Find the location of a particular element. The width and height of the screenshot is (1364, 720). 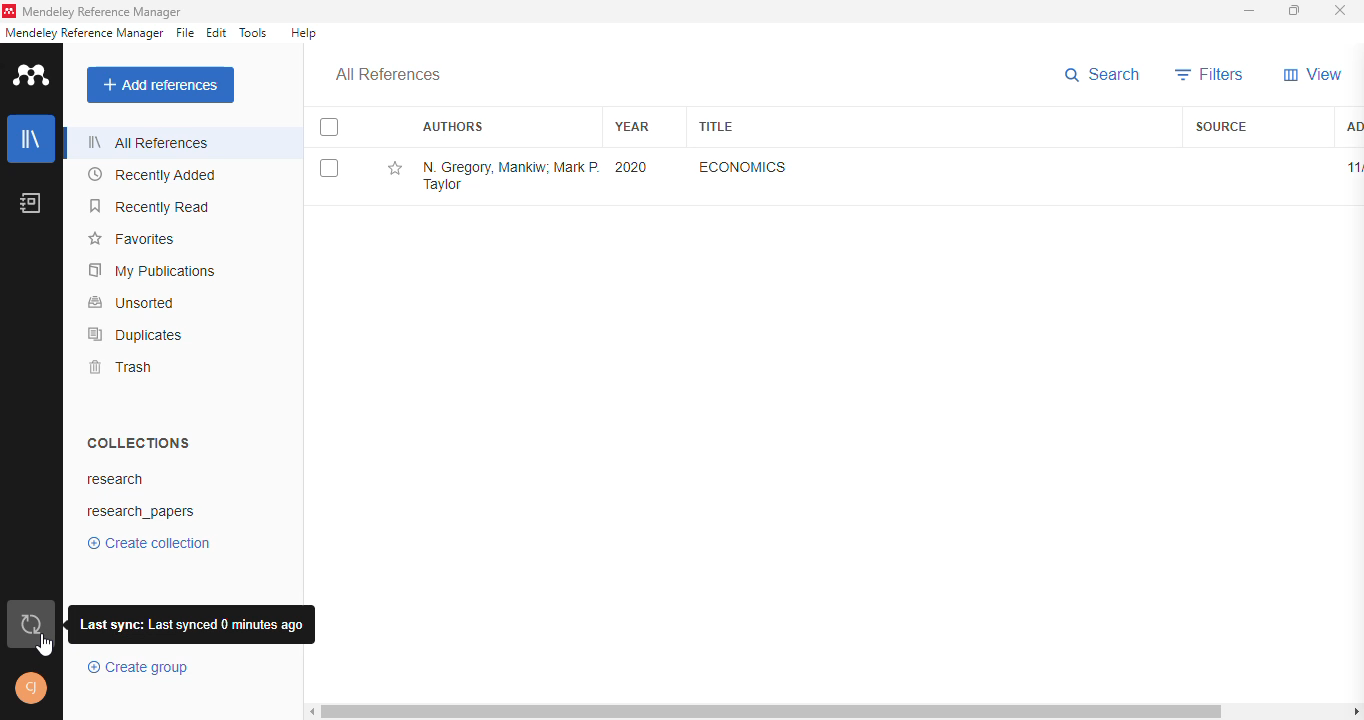

all references is located at coordinates (148, 142).